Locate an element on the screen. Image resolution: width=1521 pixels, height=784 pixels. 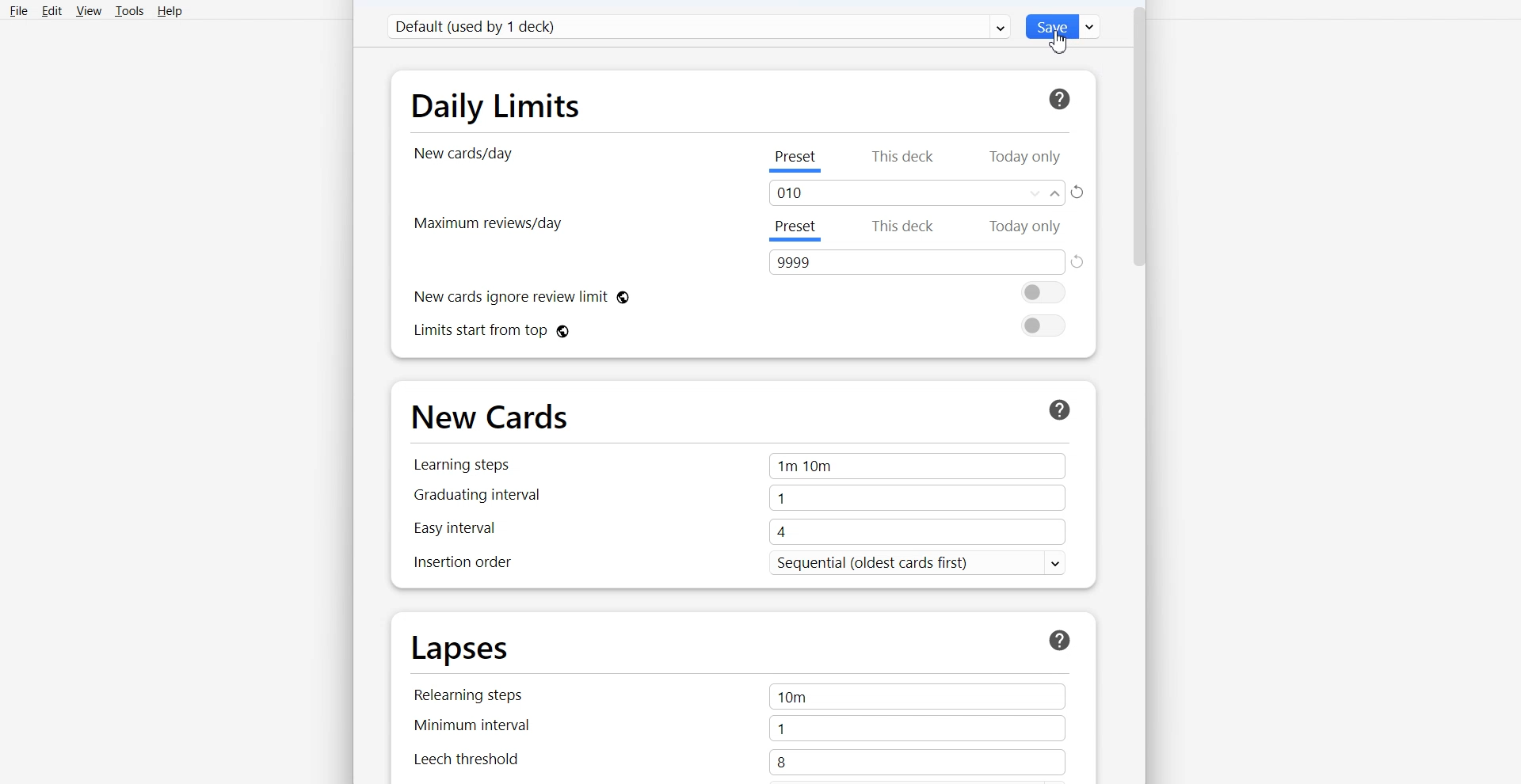
Leech threshold is located at coordinates (466, 763).